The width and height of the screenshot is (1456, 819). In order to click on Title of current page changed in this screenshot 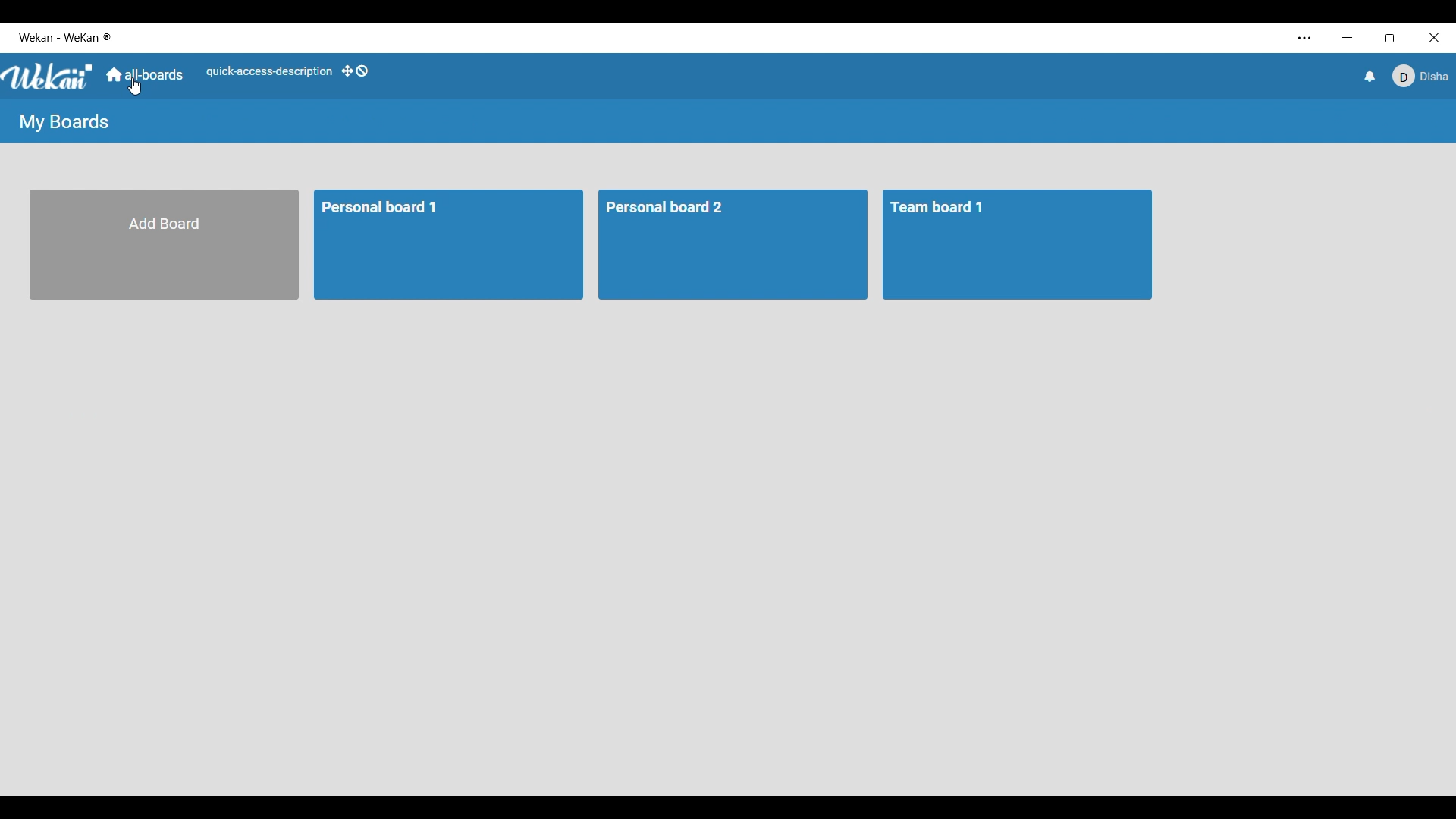, I will do `click(63, 122)`.